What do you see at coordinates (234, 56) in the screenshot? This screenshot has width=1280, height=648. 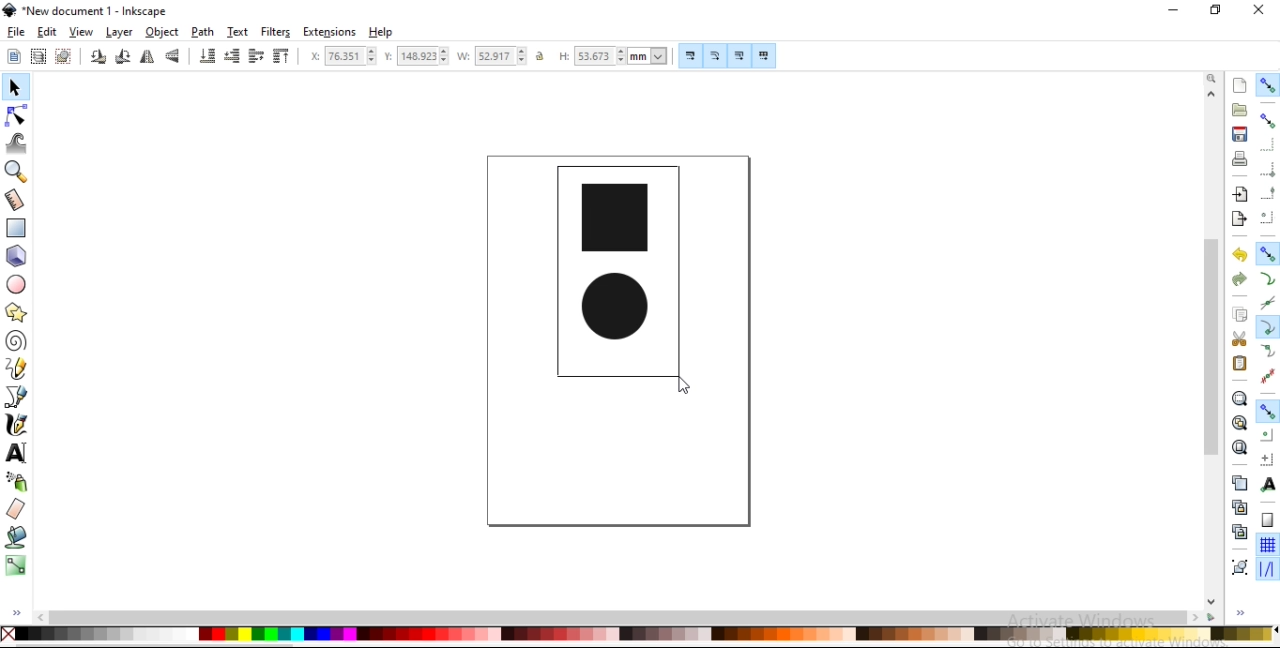 I see `lower selection by  one step` at bounding box center [234, 56].